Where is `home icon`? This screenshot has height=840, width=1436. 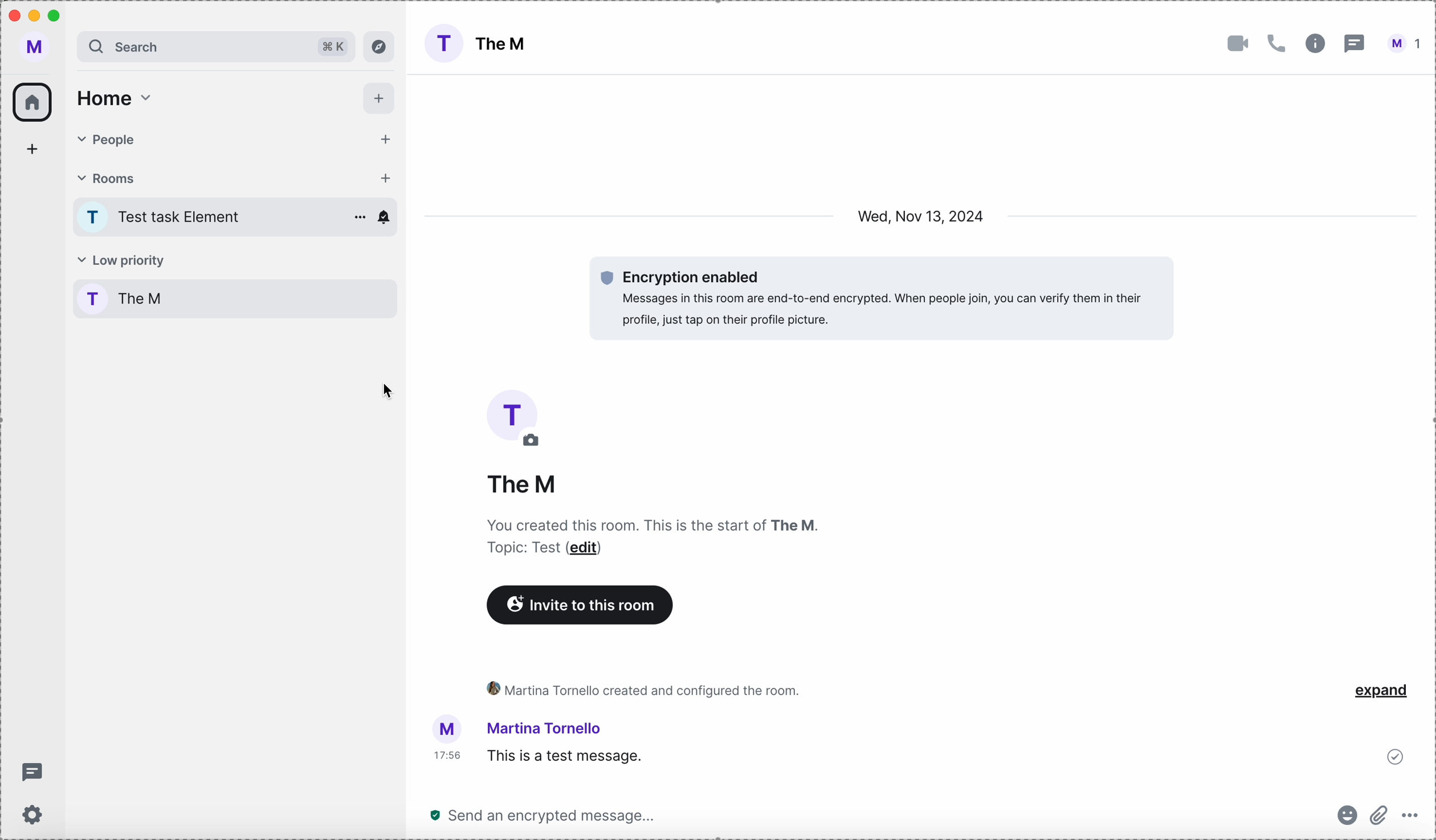 home icon is located at coordinates (32, 103).